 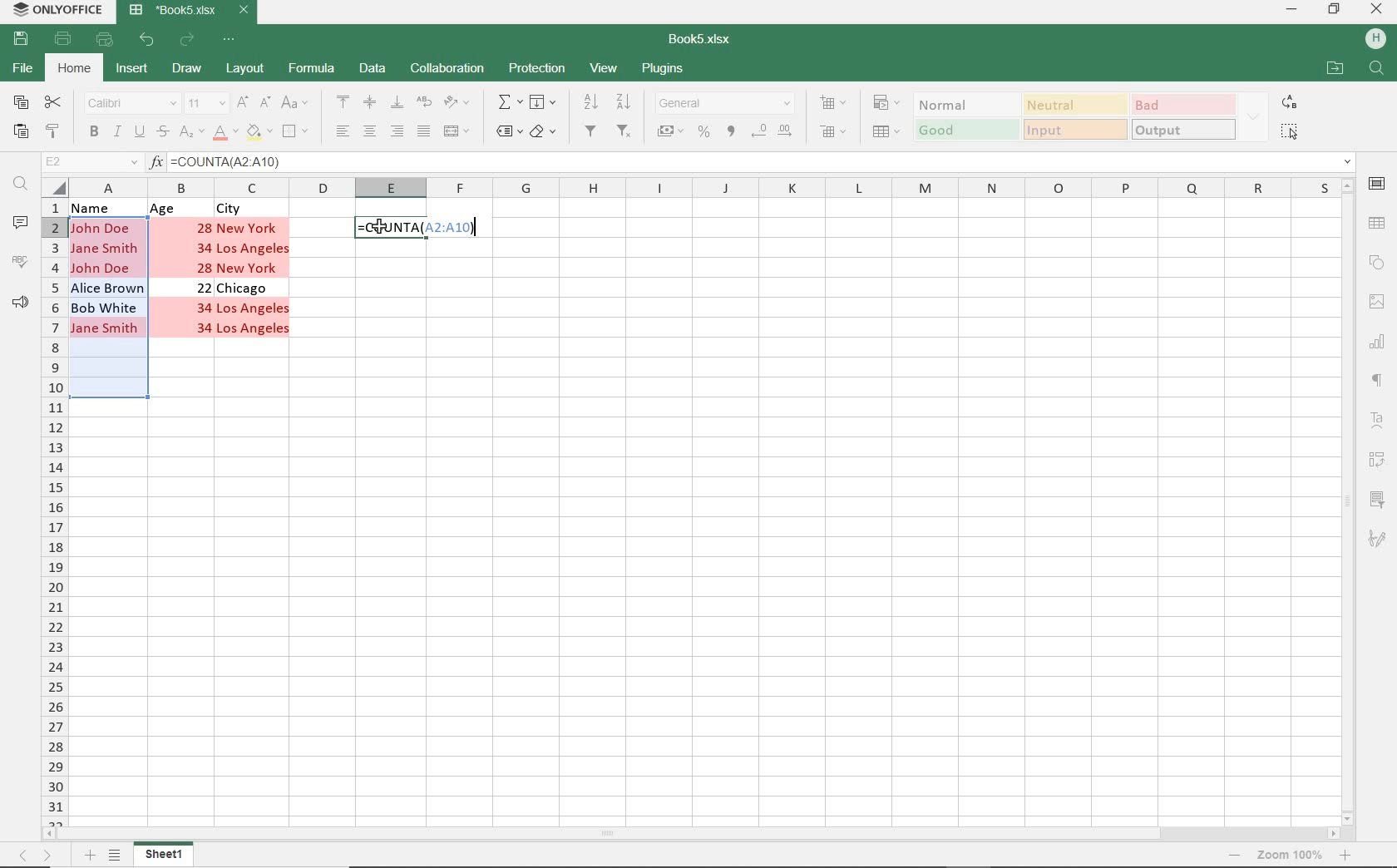 What do you see at coordinates (369, 132) in the screenshot?
I see `ALIGN CENTER` at bounding box center [369, 132].